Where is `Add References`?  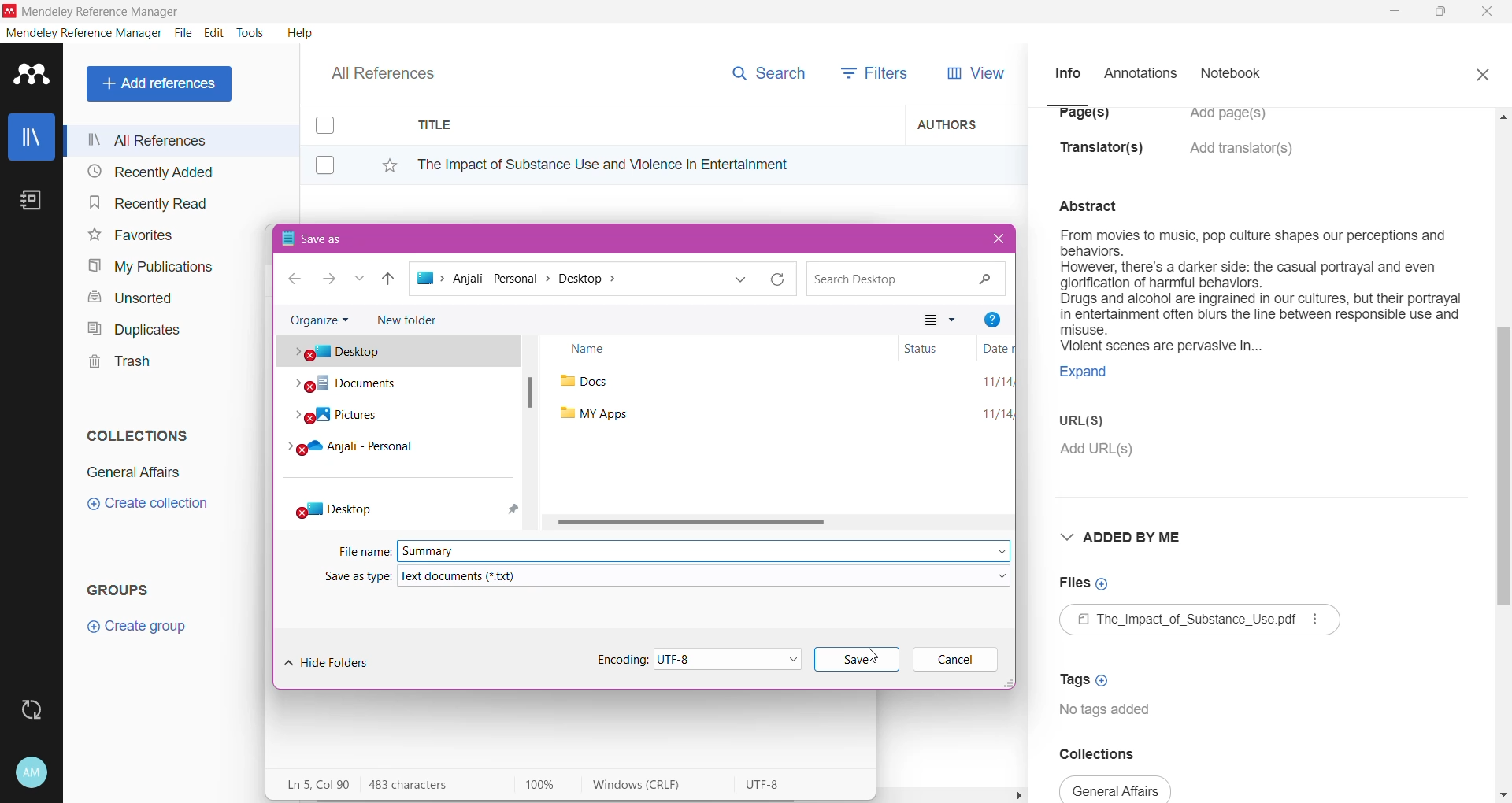
Add References is located at coordinates (162, 83).